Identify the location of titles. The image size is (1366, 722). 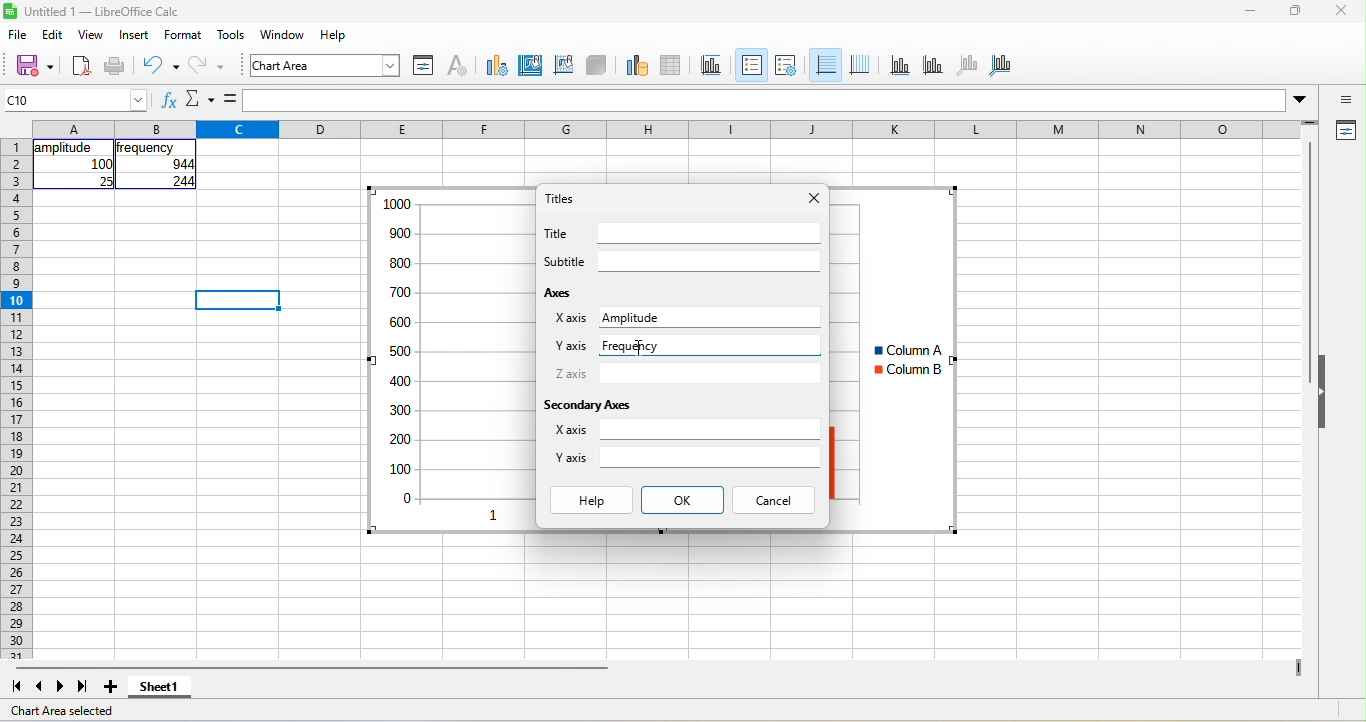
(560, 198).